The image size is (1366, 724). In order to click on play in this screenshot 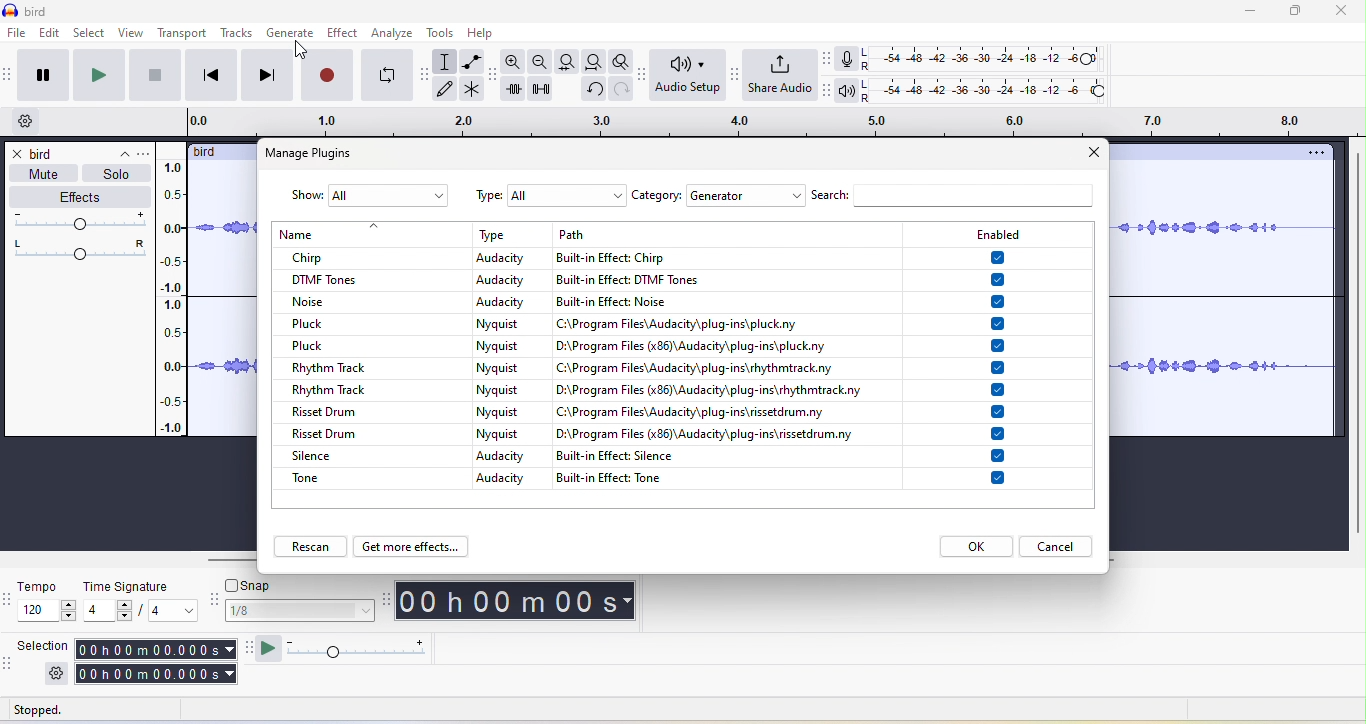, I will do `click(98, 76)`.